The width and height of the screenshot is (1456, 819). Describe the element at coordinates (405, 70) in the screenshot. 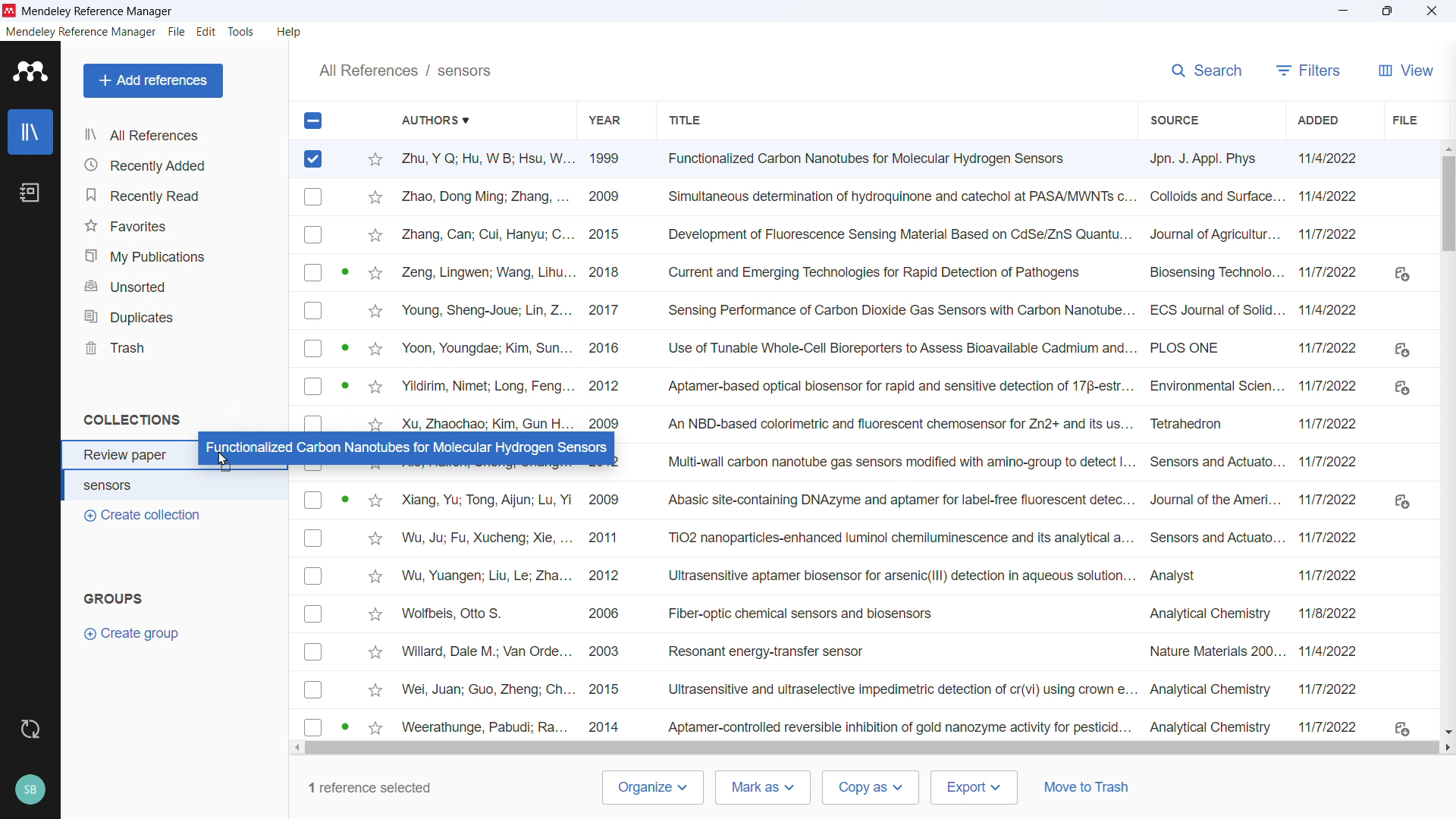

I see `All references/ Sensors ` at that location.